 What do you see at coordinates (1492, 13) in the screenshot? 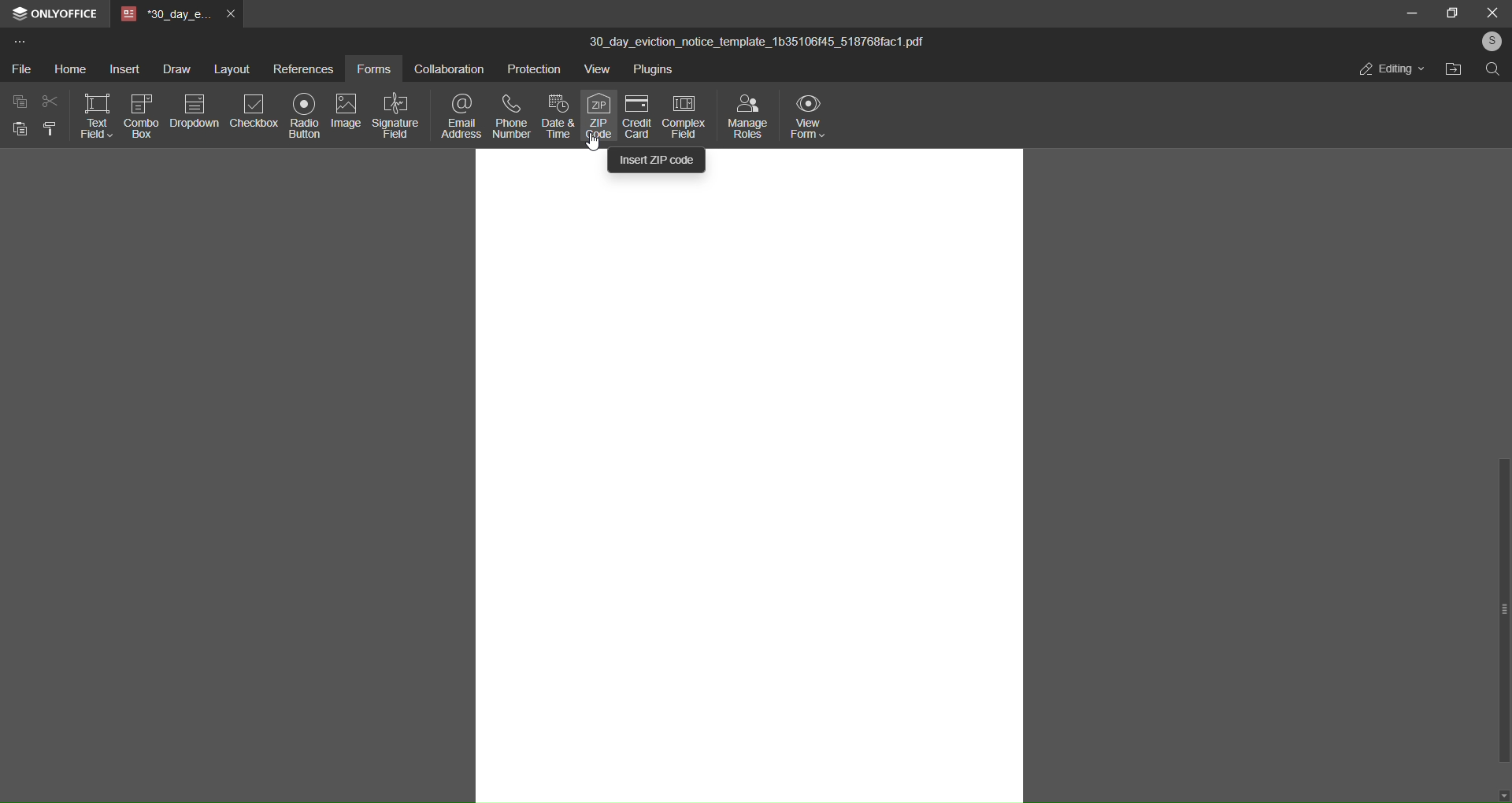
I see `close` at bounding box center [1492, 13].